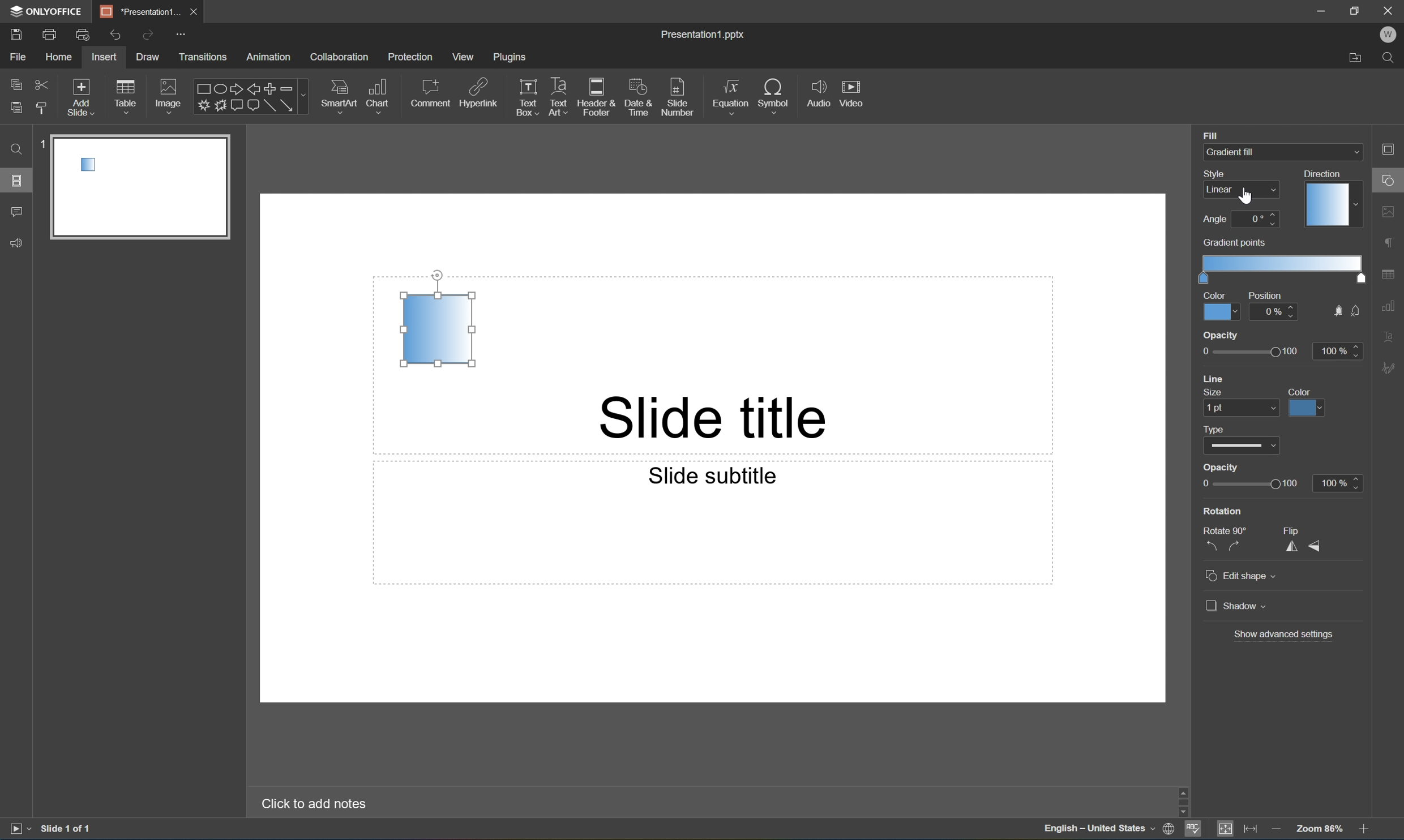 This screenshot has width=1404, height=840. I want to click on Presentation1..., so click(135, 11).